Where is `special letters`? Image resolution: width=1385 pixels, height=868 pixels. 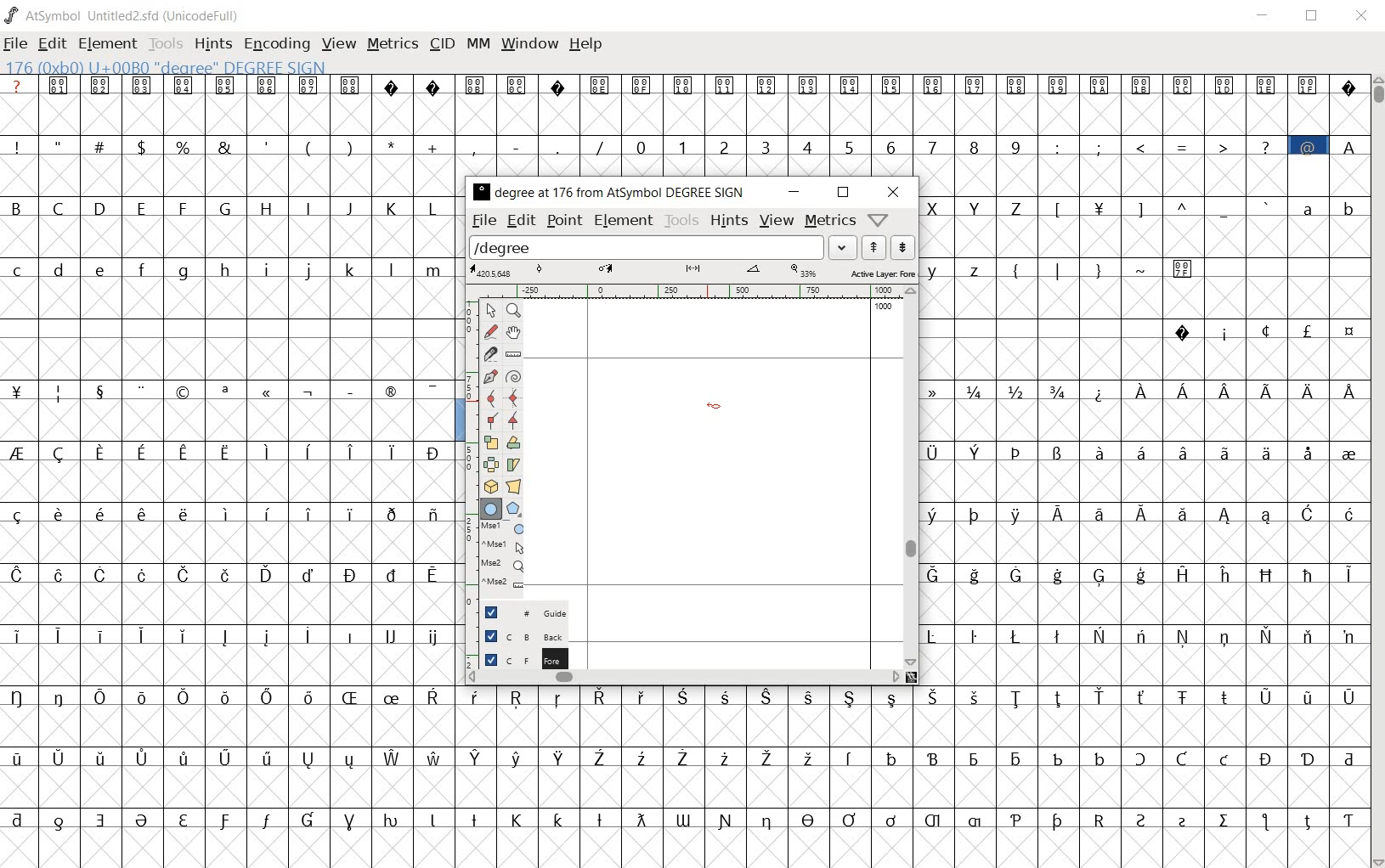
special letters is located at coordinates (913, 698).